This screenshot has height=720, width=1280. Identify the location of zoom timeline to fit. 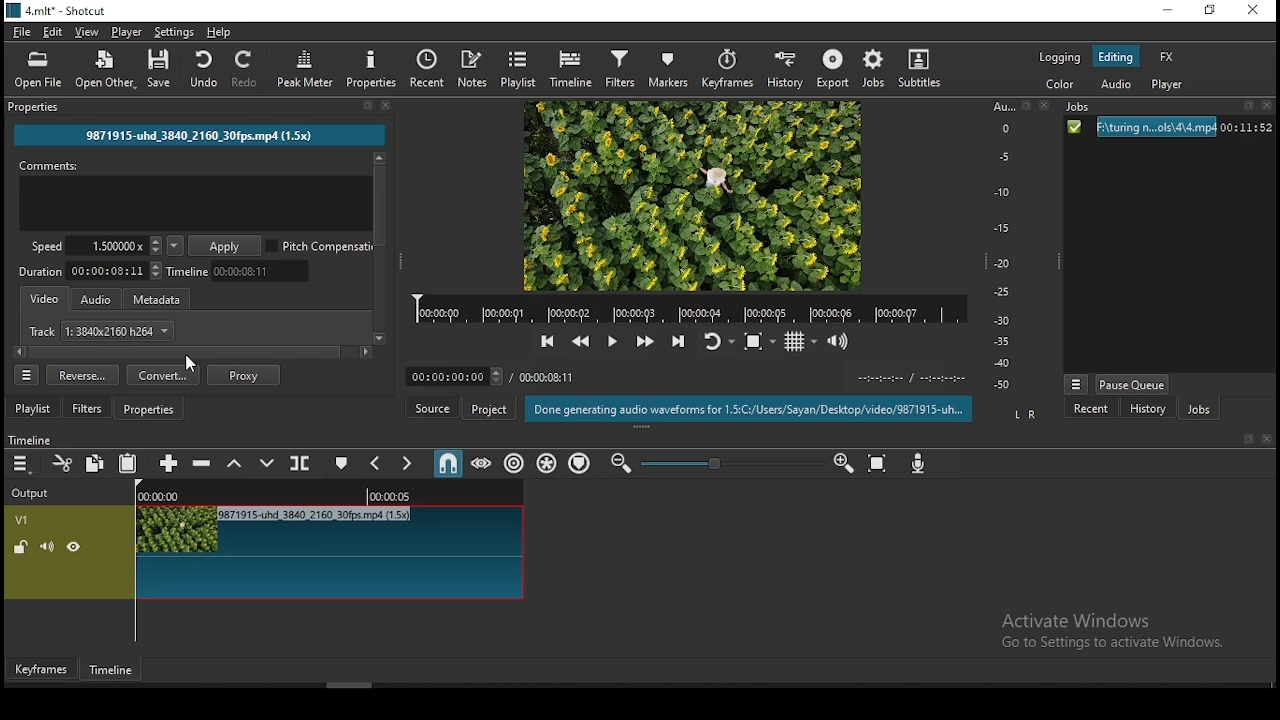
(876, 462).